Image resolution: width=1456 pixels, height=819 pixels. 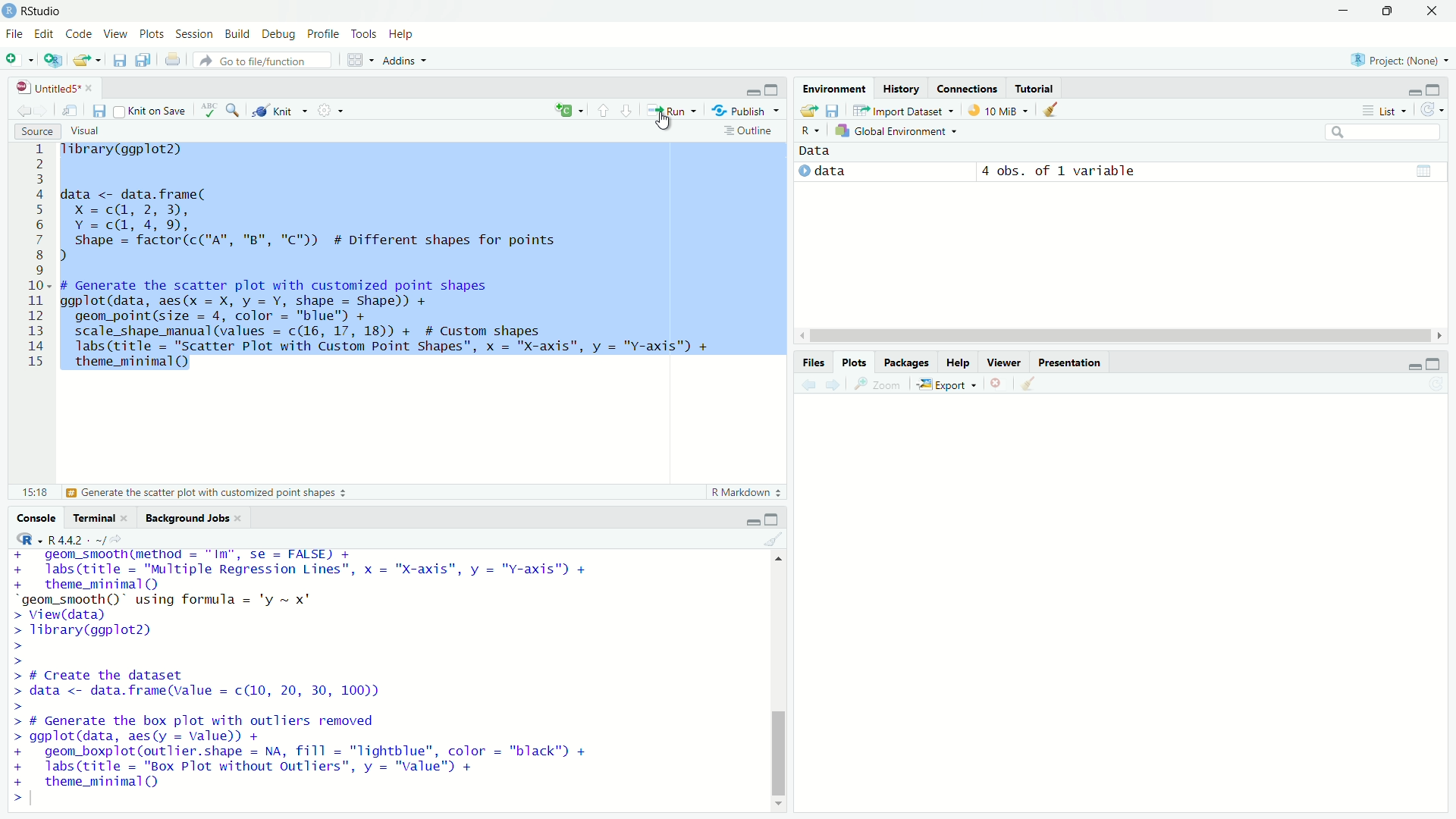 What do you see at coordinates (77, 33) in the screenshot?
I see `Code` at bounding box center [77, 33].